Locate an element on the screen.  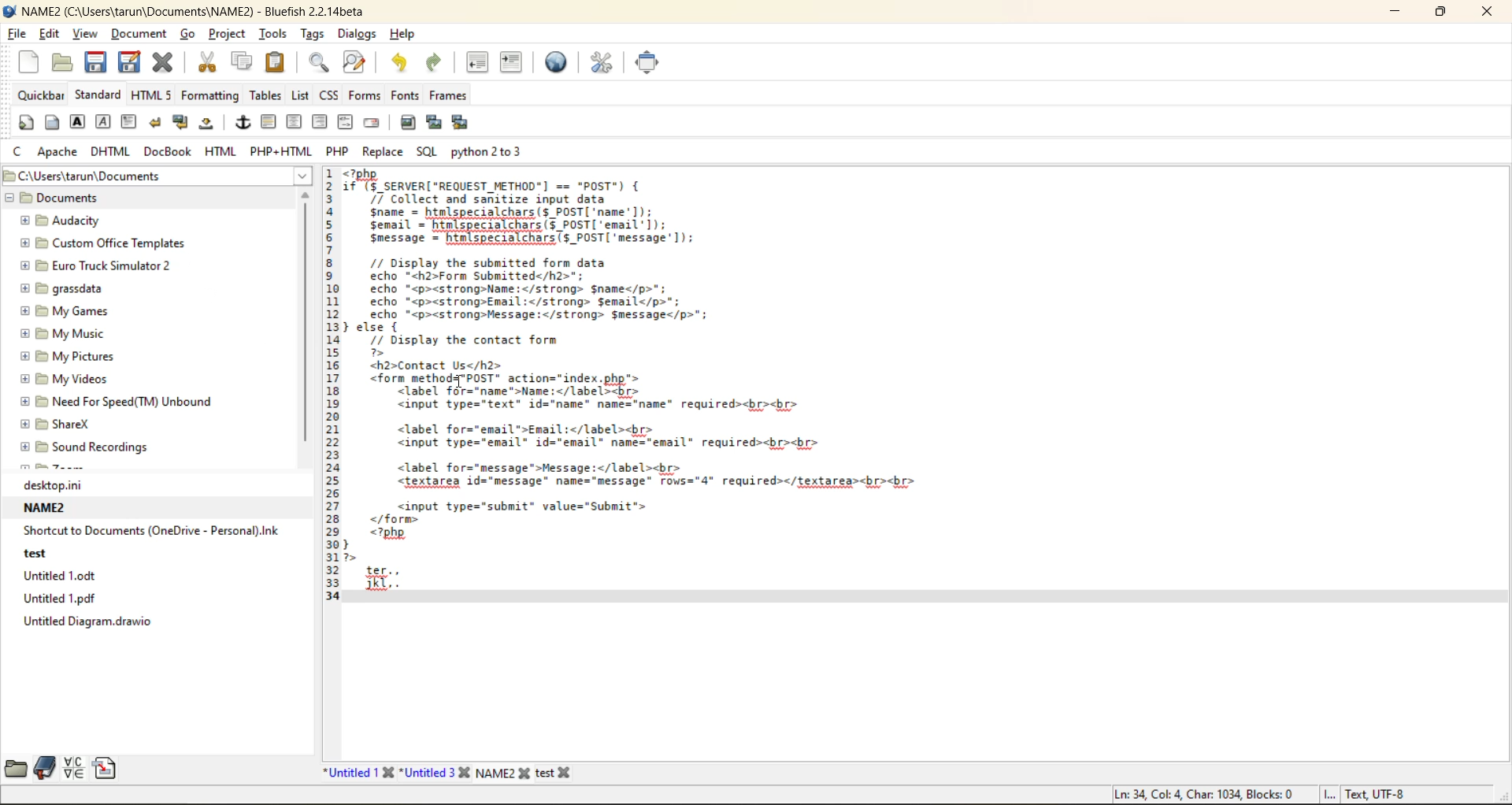
find and replace is located at coordinates (355, 61).